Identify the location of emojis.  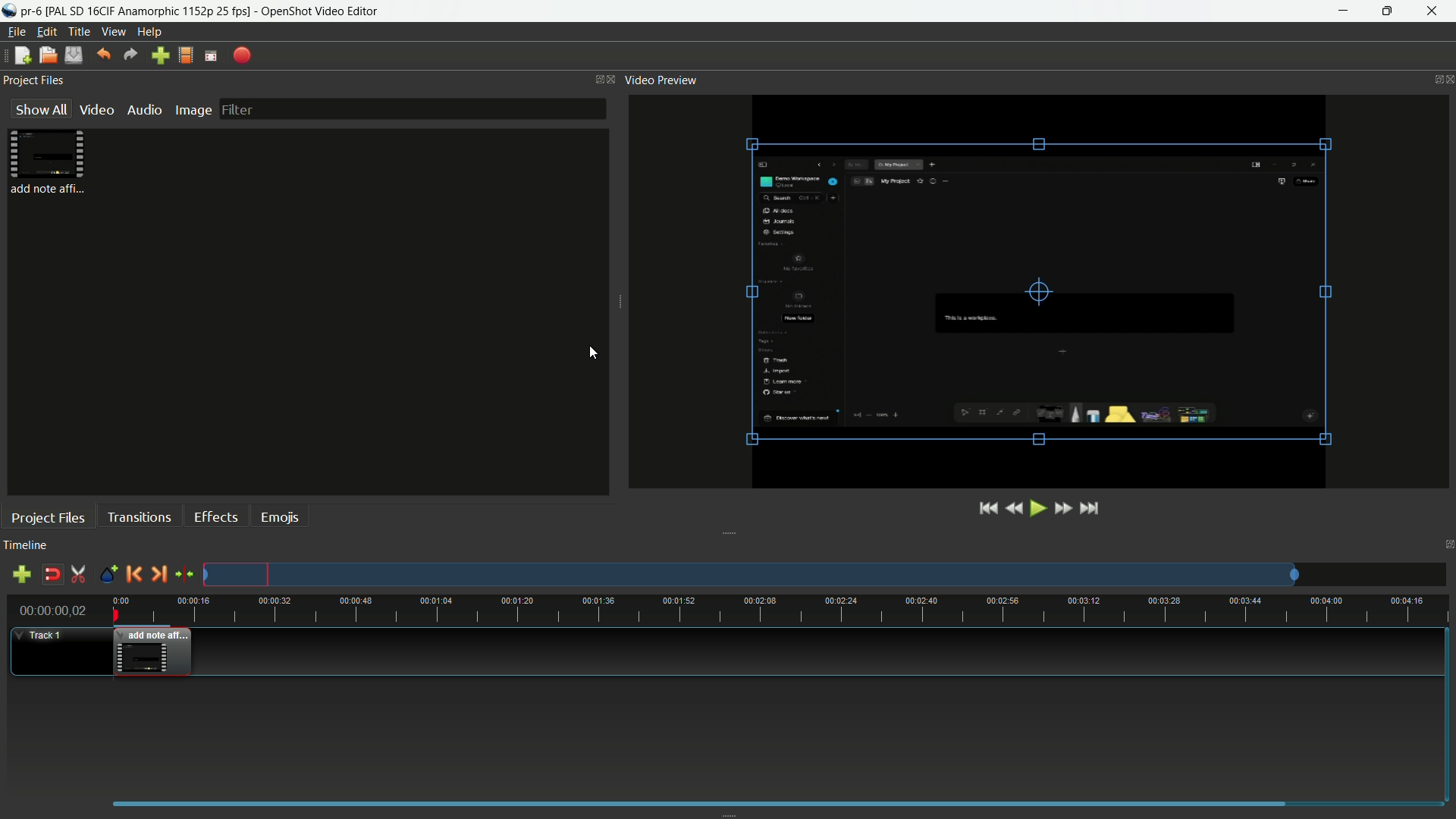
(280, 518).